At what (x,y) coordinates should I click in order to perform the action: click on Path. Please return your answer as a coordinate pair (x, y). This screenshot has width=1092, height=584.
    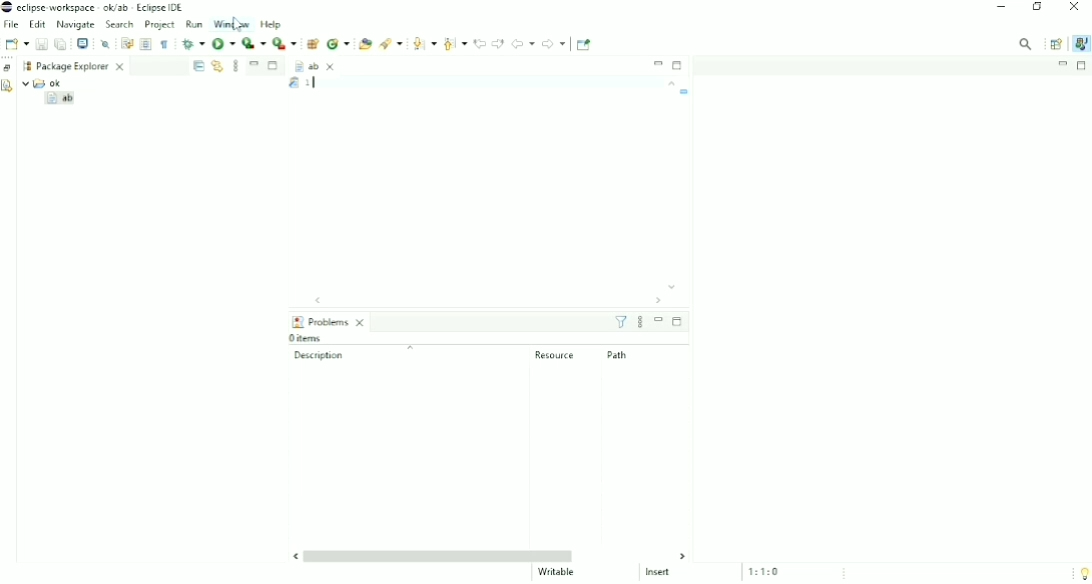
    Looking at the image, I should click on (618, 355).